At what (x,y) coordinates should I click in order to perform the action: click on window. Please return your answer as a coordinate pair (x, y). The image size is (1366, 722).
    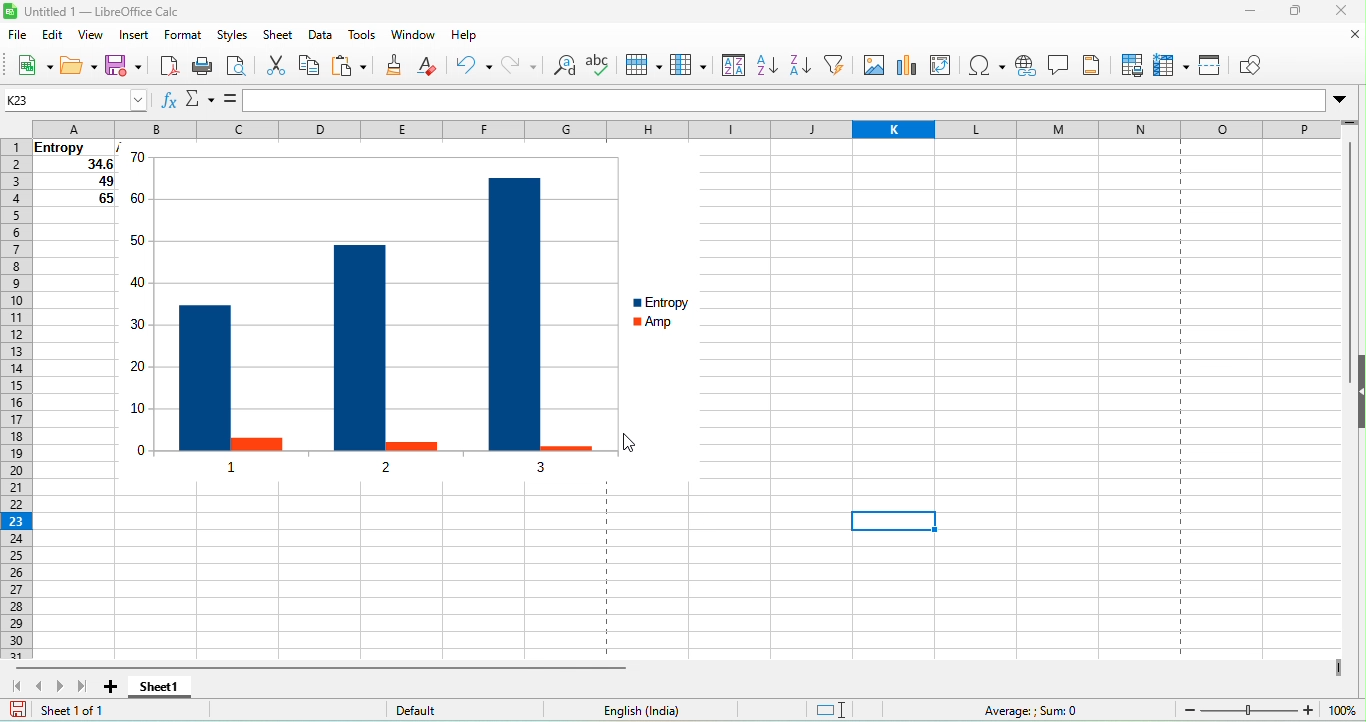
    Looking at the image, I should click on (414, 38).